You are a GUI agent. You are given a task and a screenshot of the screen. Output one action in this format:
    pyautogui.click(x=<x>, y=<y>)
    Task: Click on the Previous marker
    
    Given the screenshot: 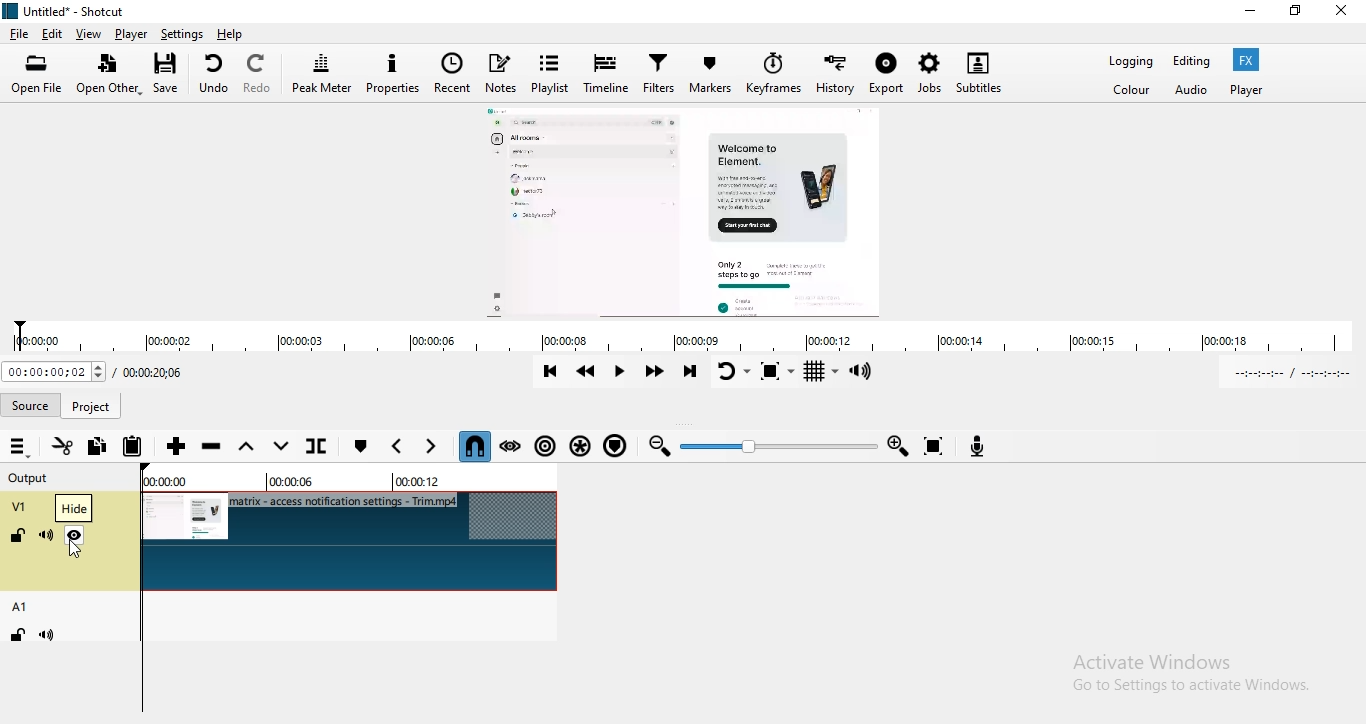 What is the action you would take?
    pyautogui.click(x=397, y=447)
    